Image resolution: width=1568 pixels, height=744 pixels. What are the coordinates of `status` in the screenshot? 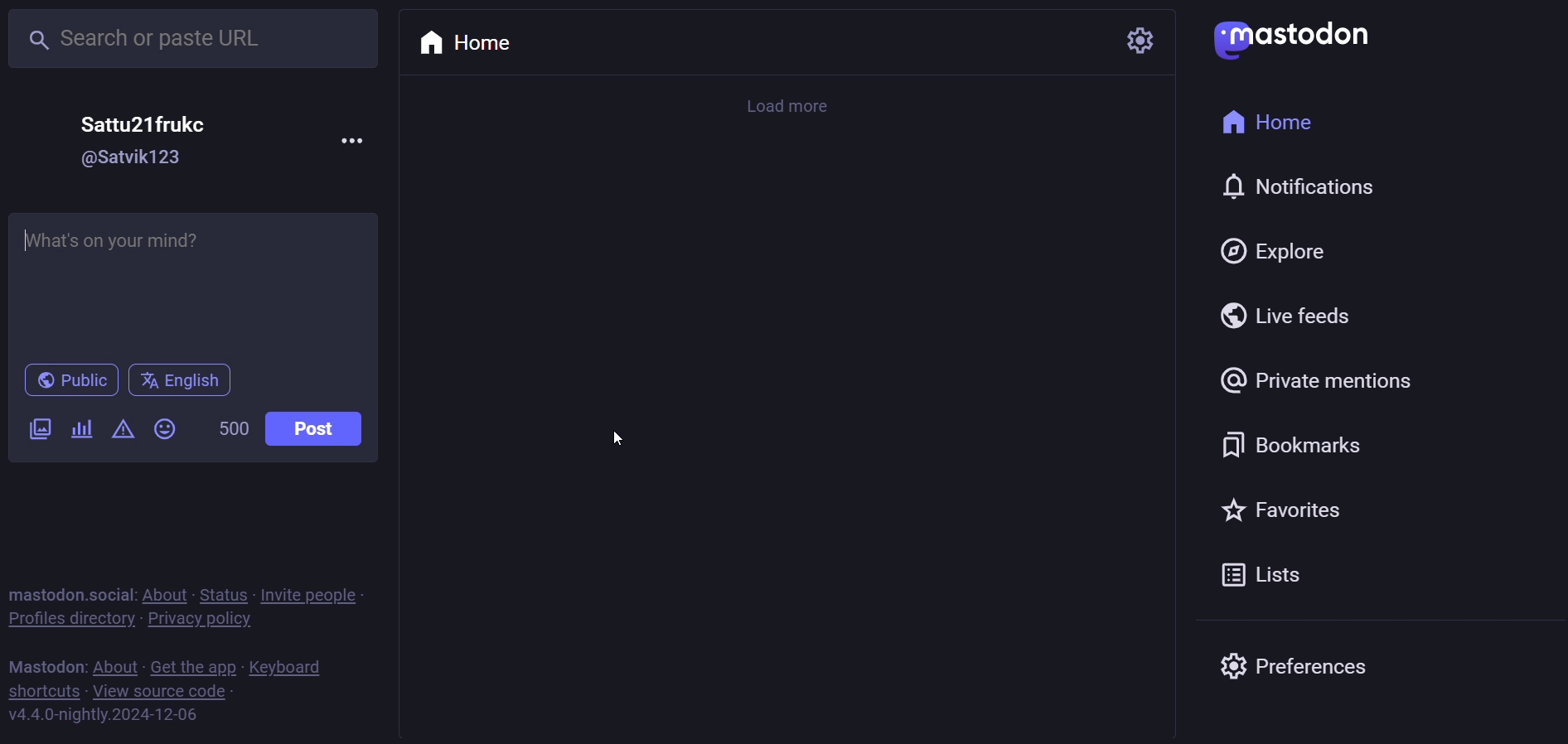 It's located at (224, 593).